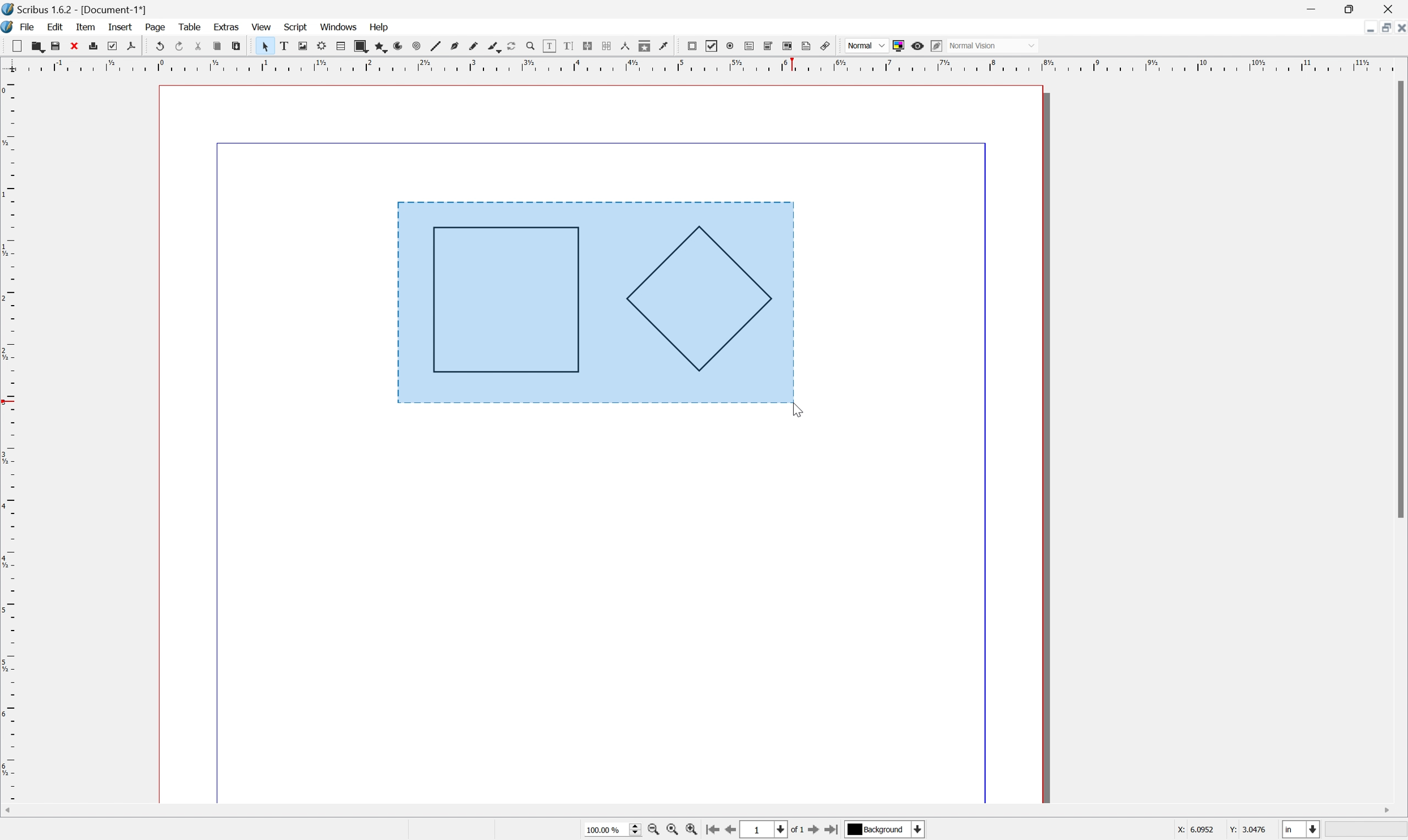  What do you see at coordinates (1221, 828) in the screenshot?
I see `coordinates` at bounding box center [1221, 828].